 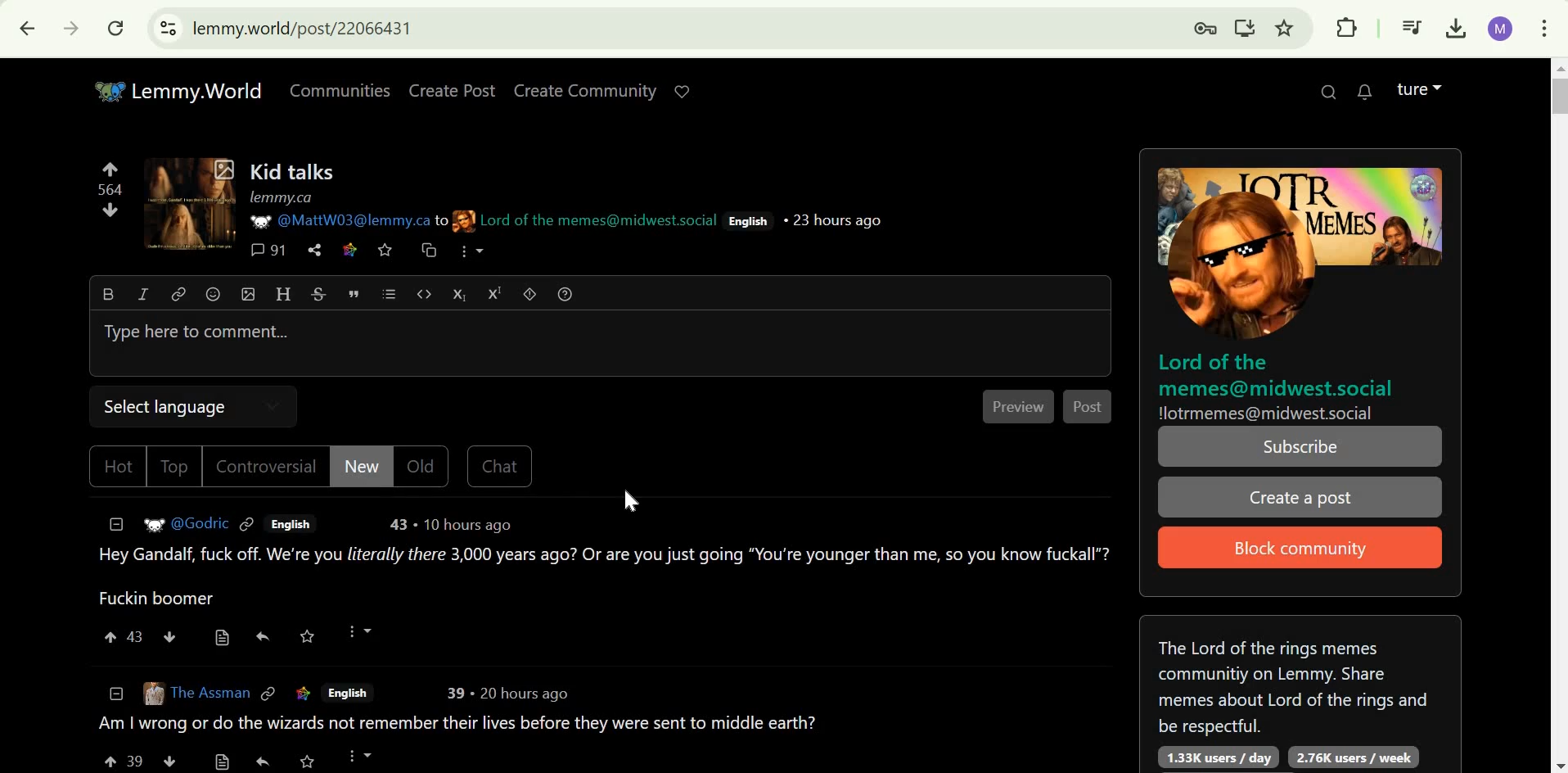 I want to click on support lemmy, so click(x=681, y=90).